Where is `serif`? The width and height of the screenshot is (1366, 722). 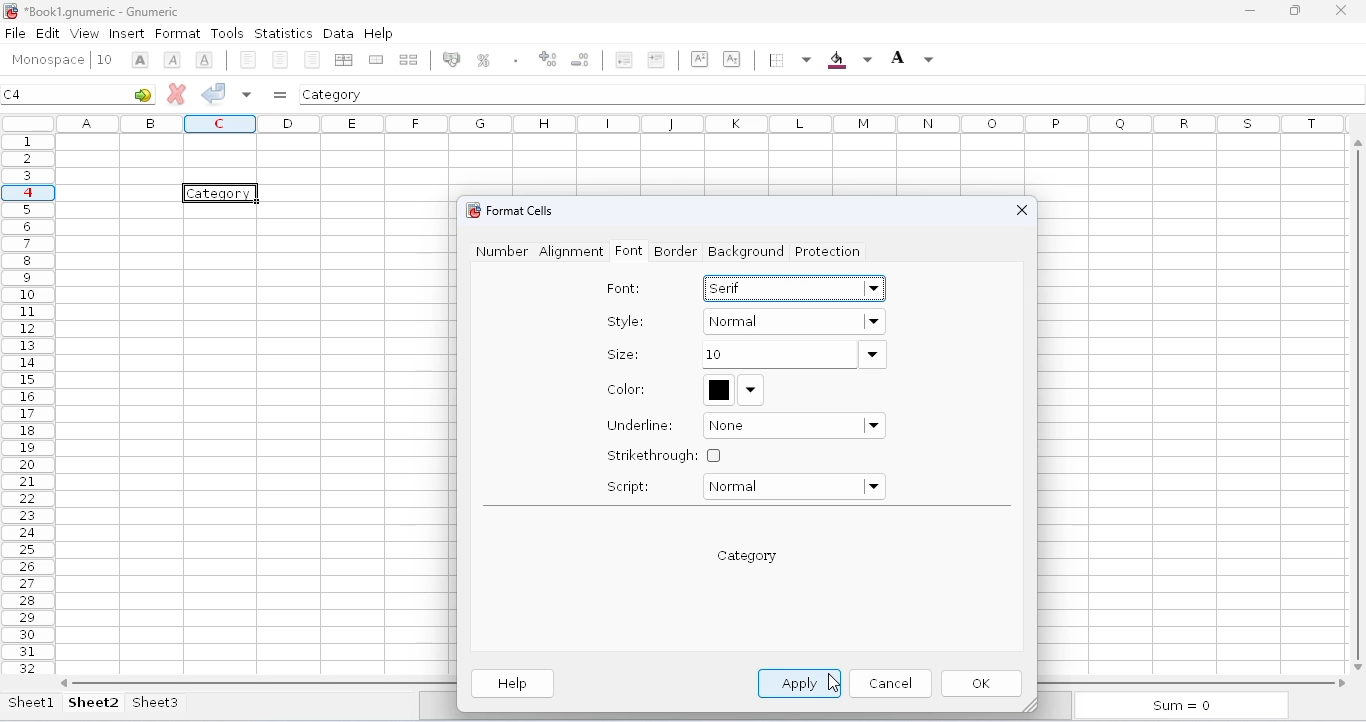
serif is located at coordinates (795, 287).